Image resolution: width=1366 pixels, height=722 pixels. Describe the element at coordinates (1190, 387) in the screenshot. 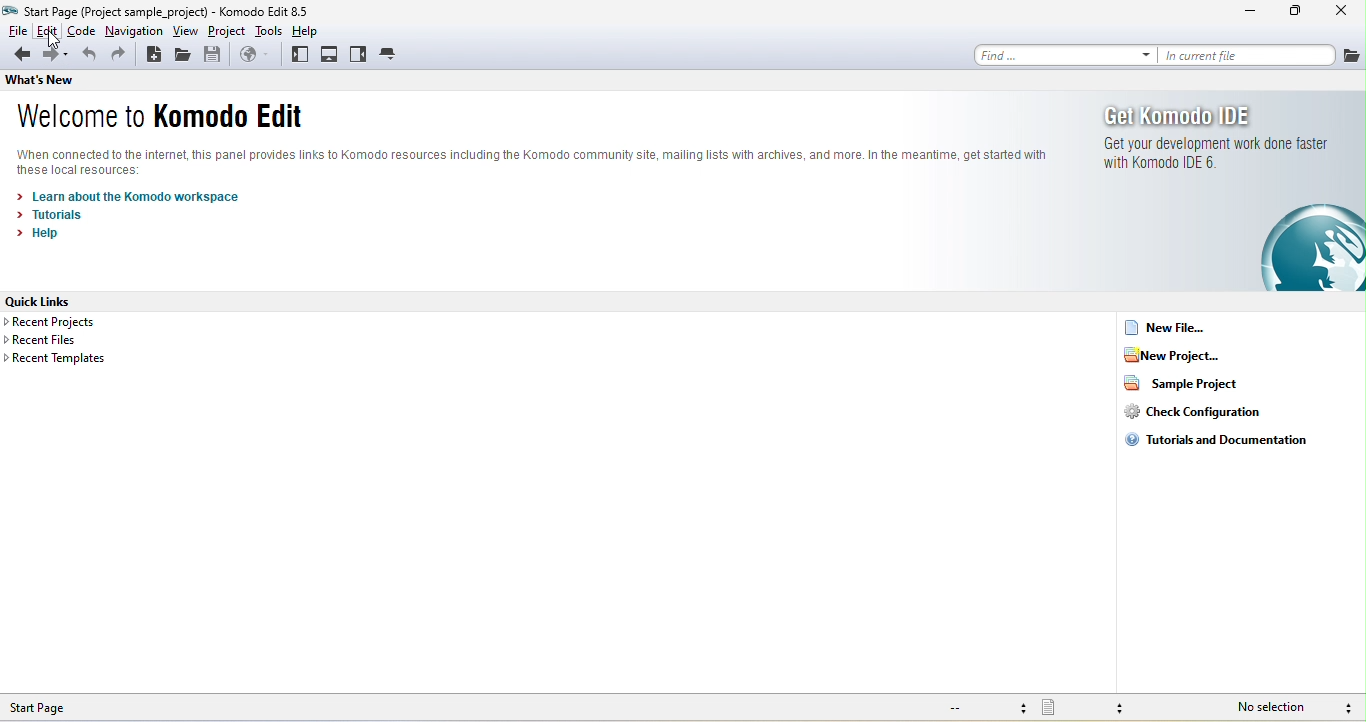

I see `sample project` at that location.